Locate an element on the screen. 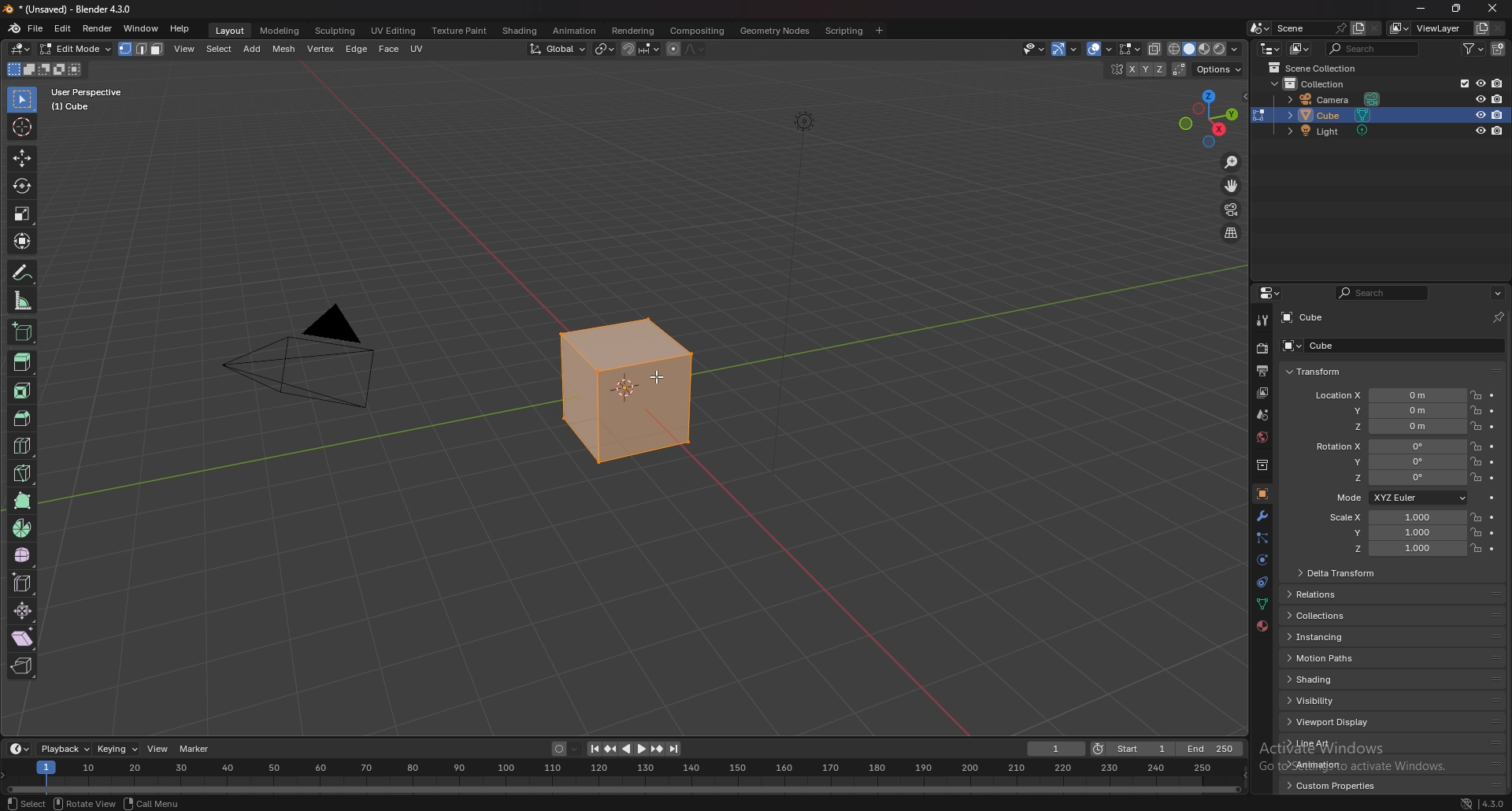 The height and width of the screenshot is (811, 1512). window is located at coordinates (141, 29).